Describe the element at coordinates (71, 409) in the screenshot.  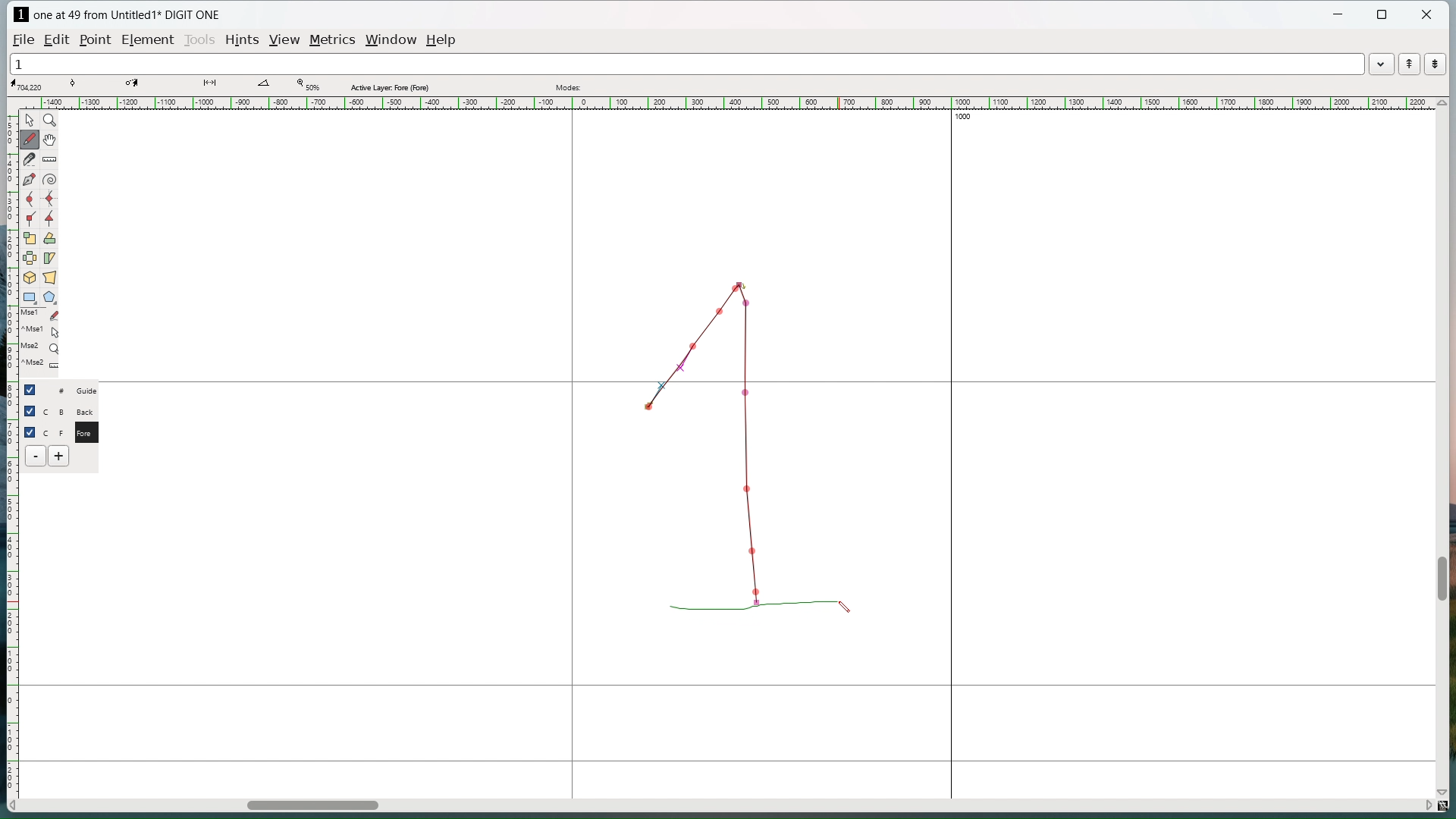
I see `C B Back` at that location.